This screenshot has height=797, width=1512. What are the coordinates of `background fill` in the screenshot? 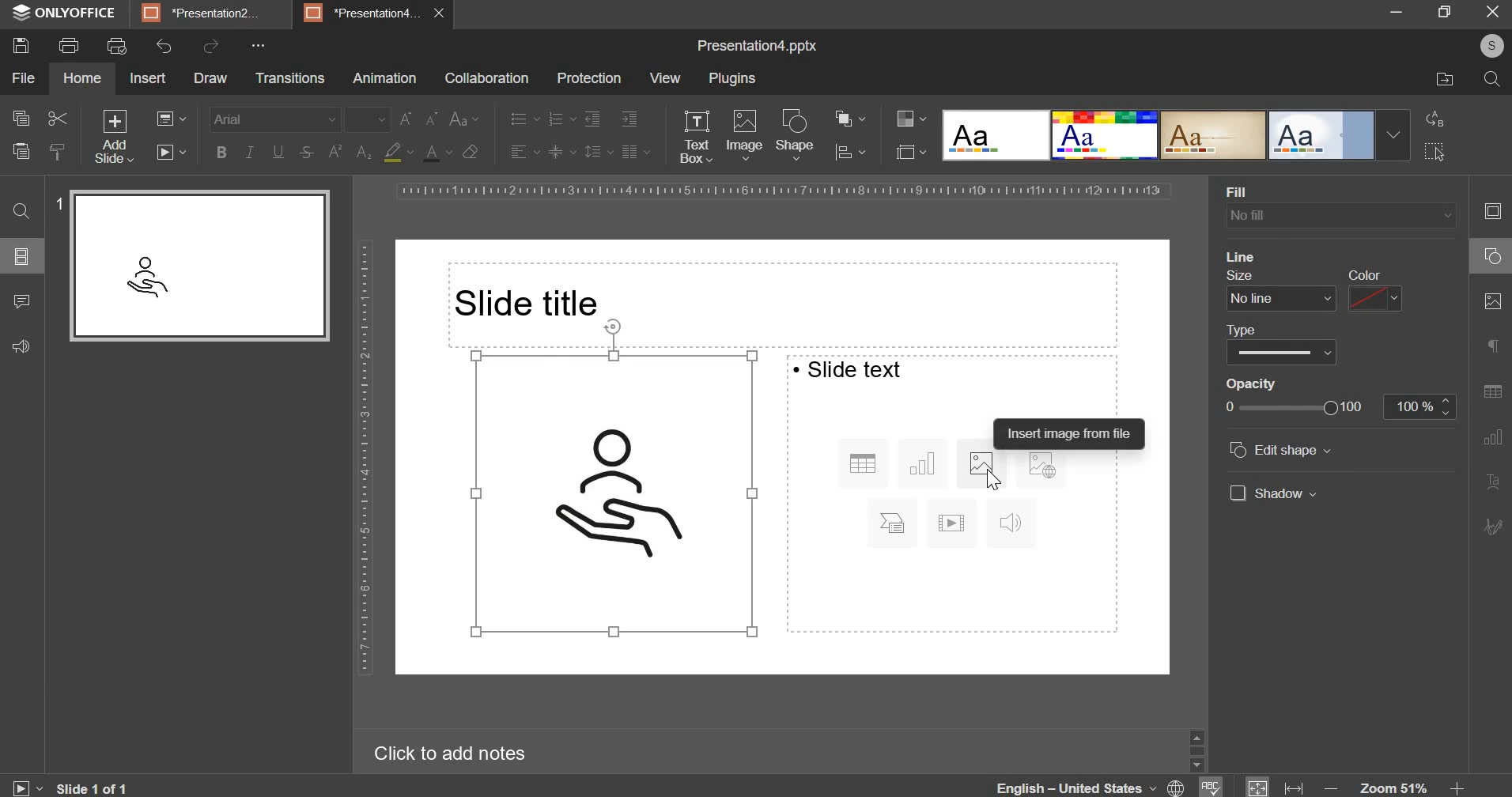 It's located at (1341, 215).